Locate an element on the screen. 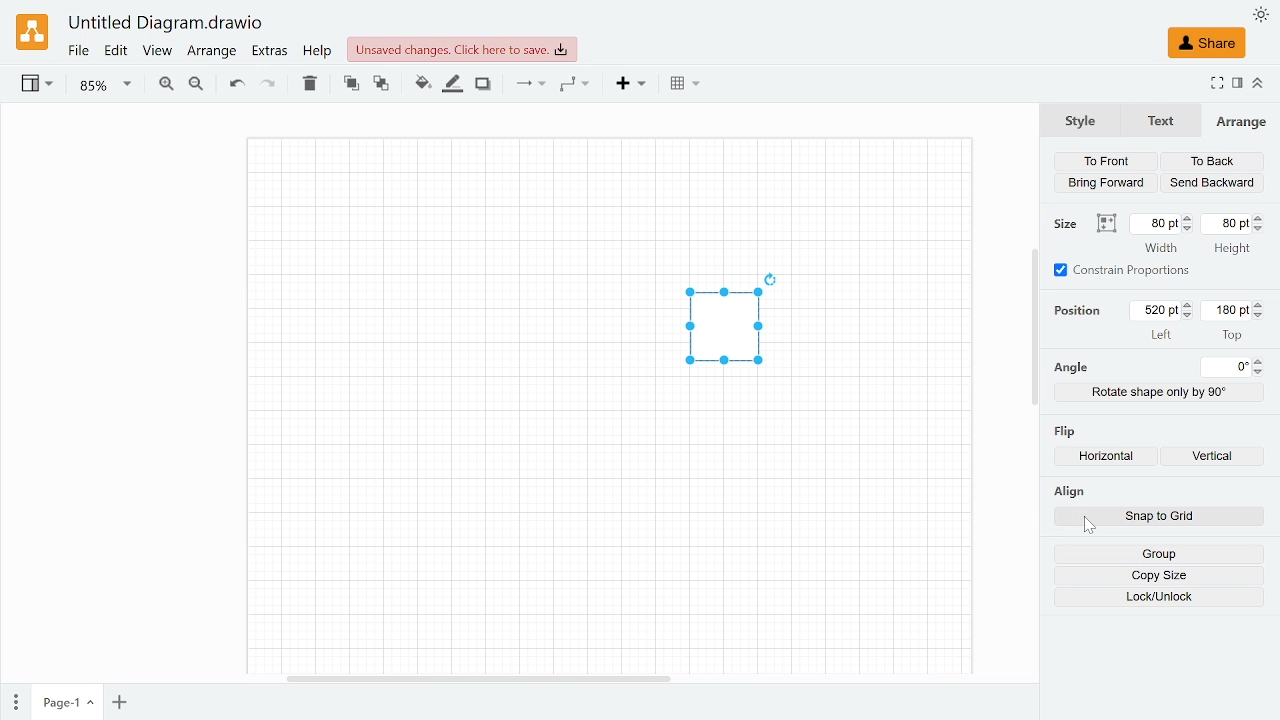  Group is located at coordinates (1158, 554).